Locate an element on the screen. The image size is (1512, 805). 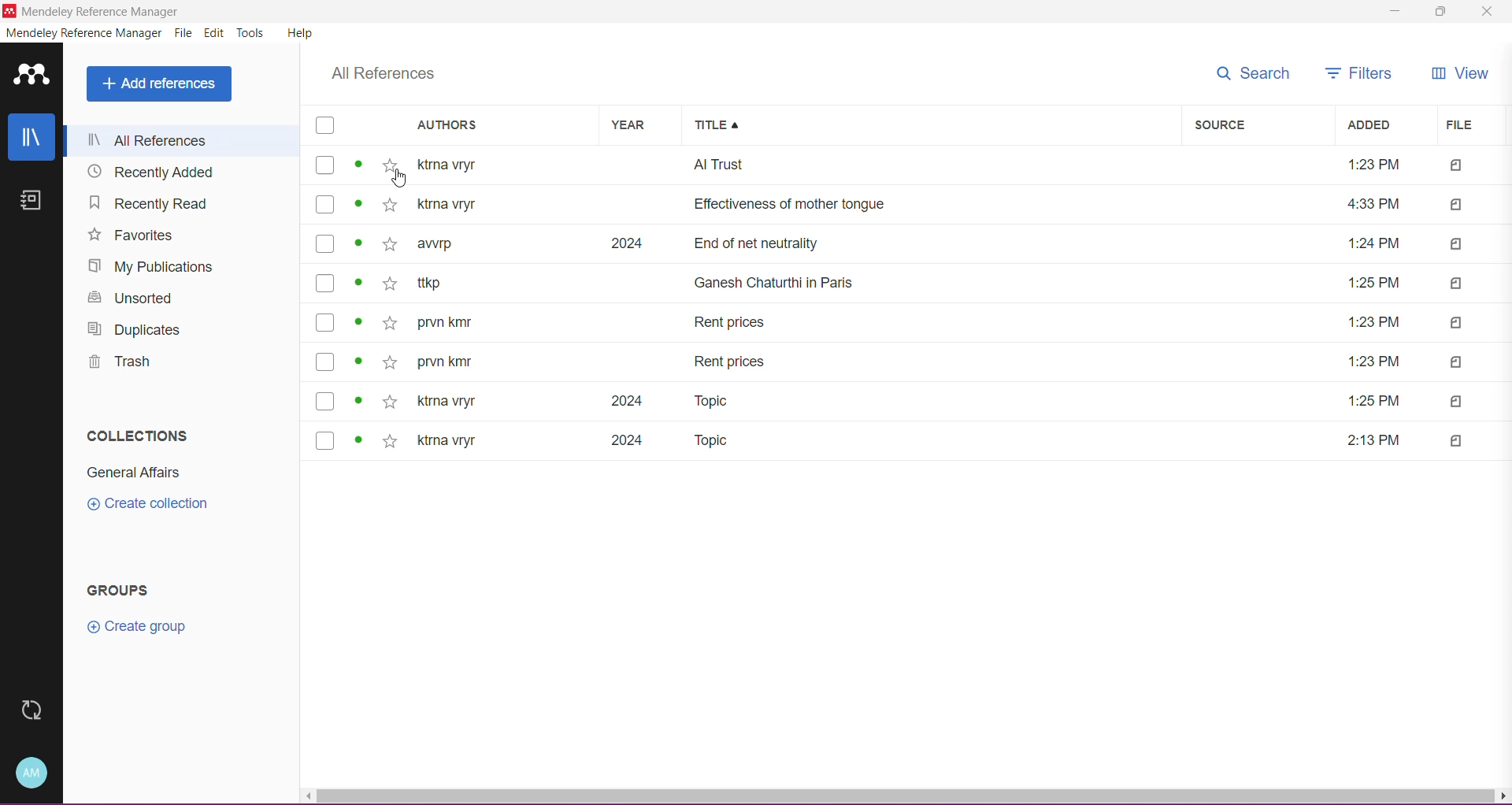
All References is located at coordinates (379, 75).